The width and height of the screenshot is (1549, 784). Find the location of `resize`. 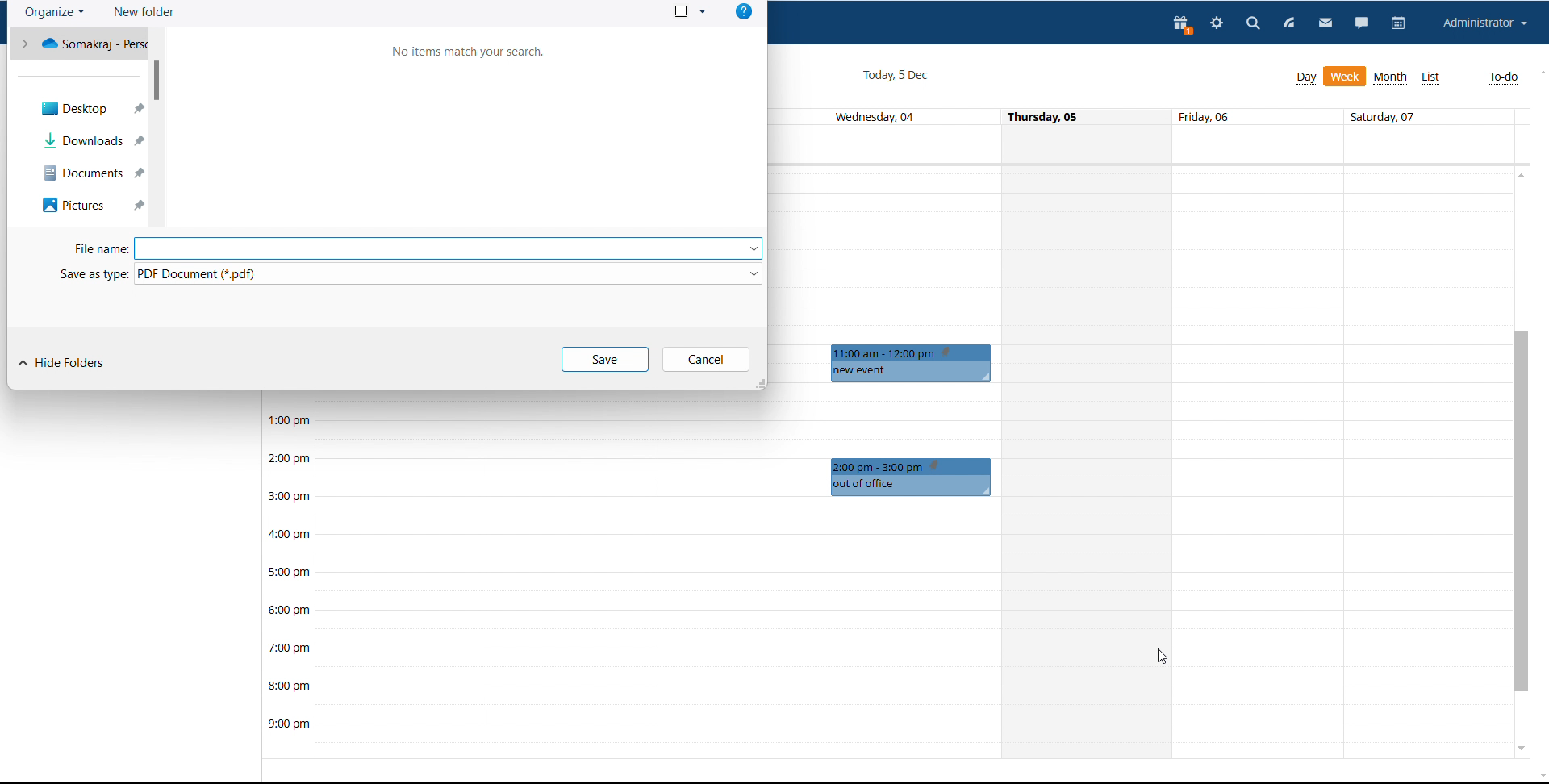

resize is located at coordinates (758, 383).